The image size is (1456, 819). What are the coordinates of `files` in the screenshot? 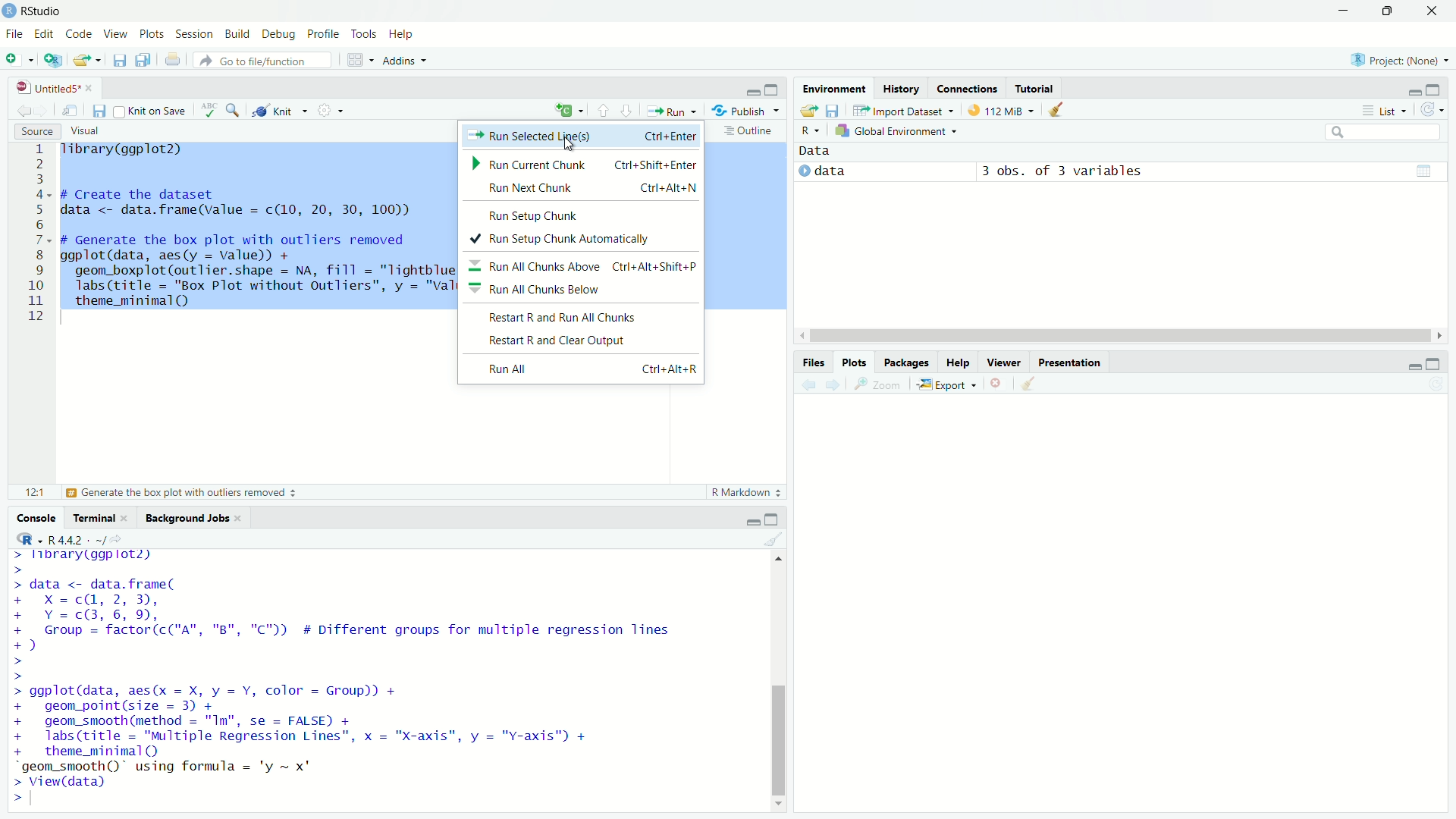 It's located at (836, 111).